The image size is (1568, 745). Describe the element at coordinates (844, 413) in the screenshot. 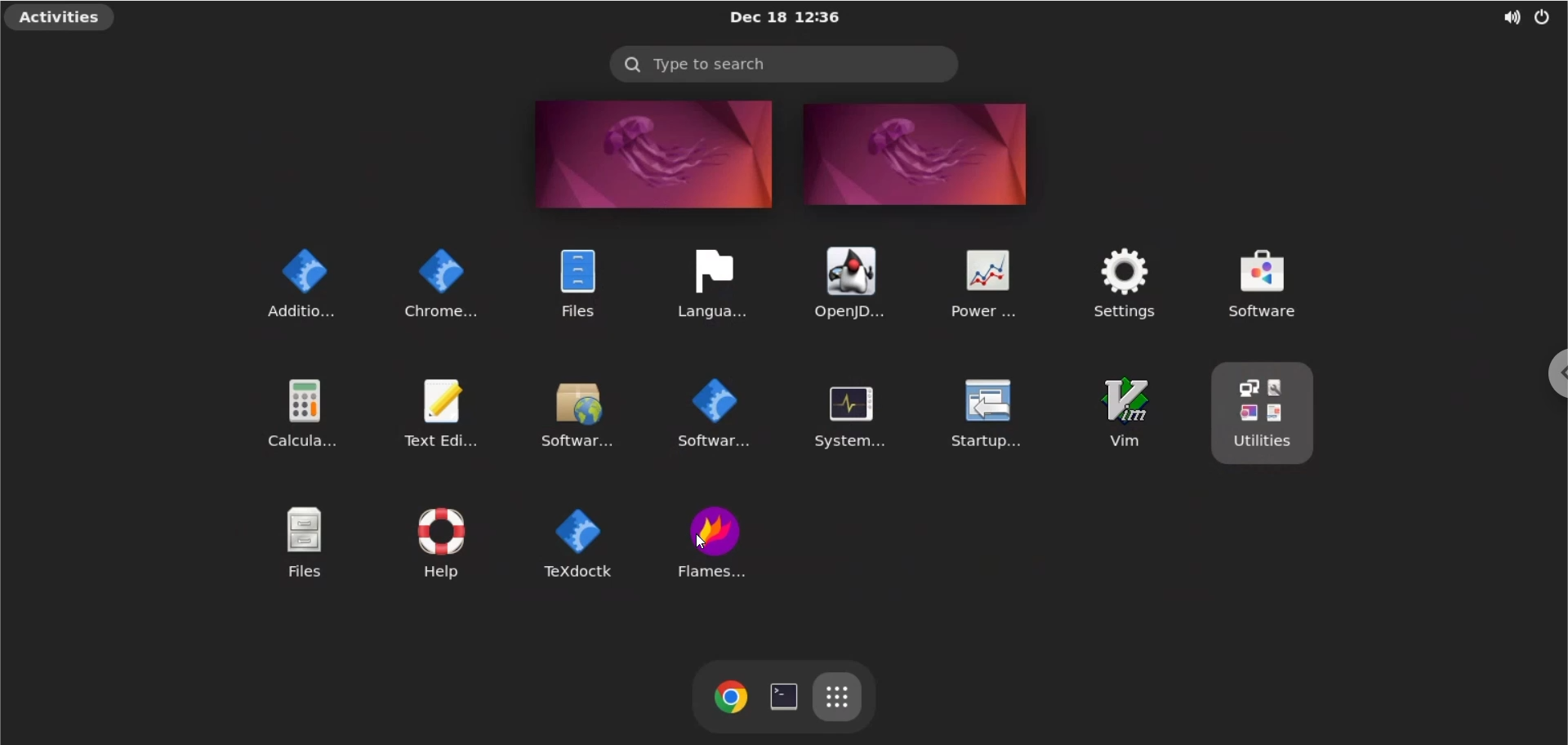

I see `system configuration ` at that location.